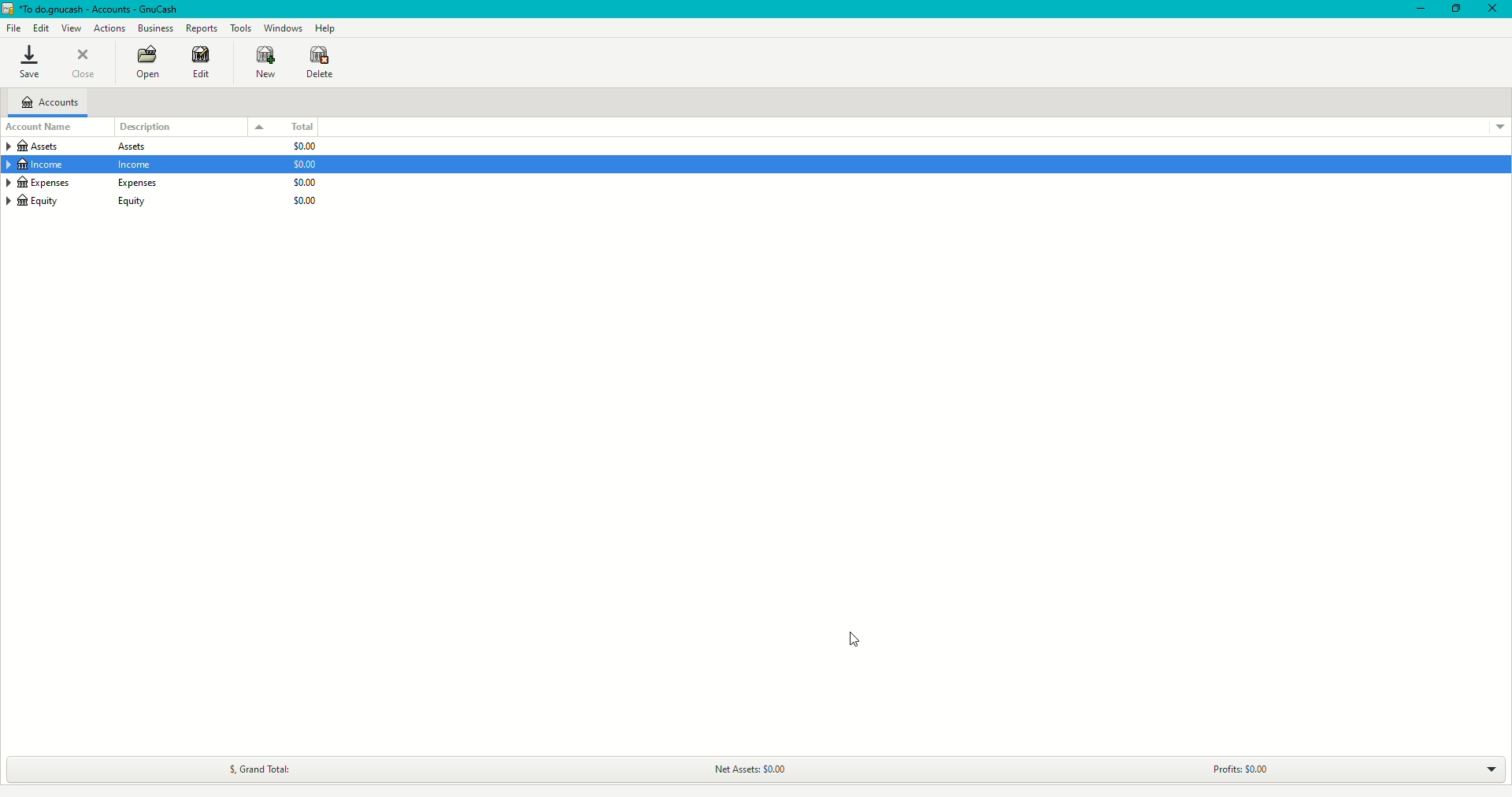 This screenshot has width=1512, height=797. What do you see at coordinates (326, 28) in the screenshot?
I see `Help` at bounding box center [326, 28].